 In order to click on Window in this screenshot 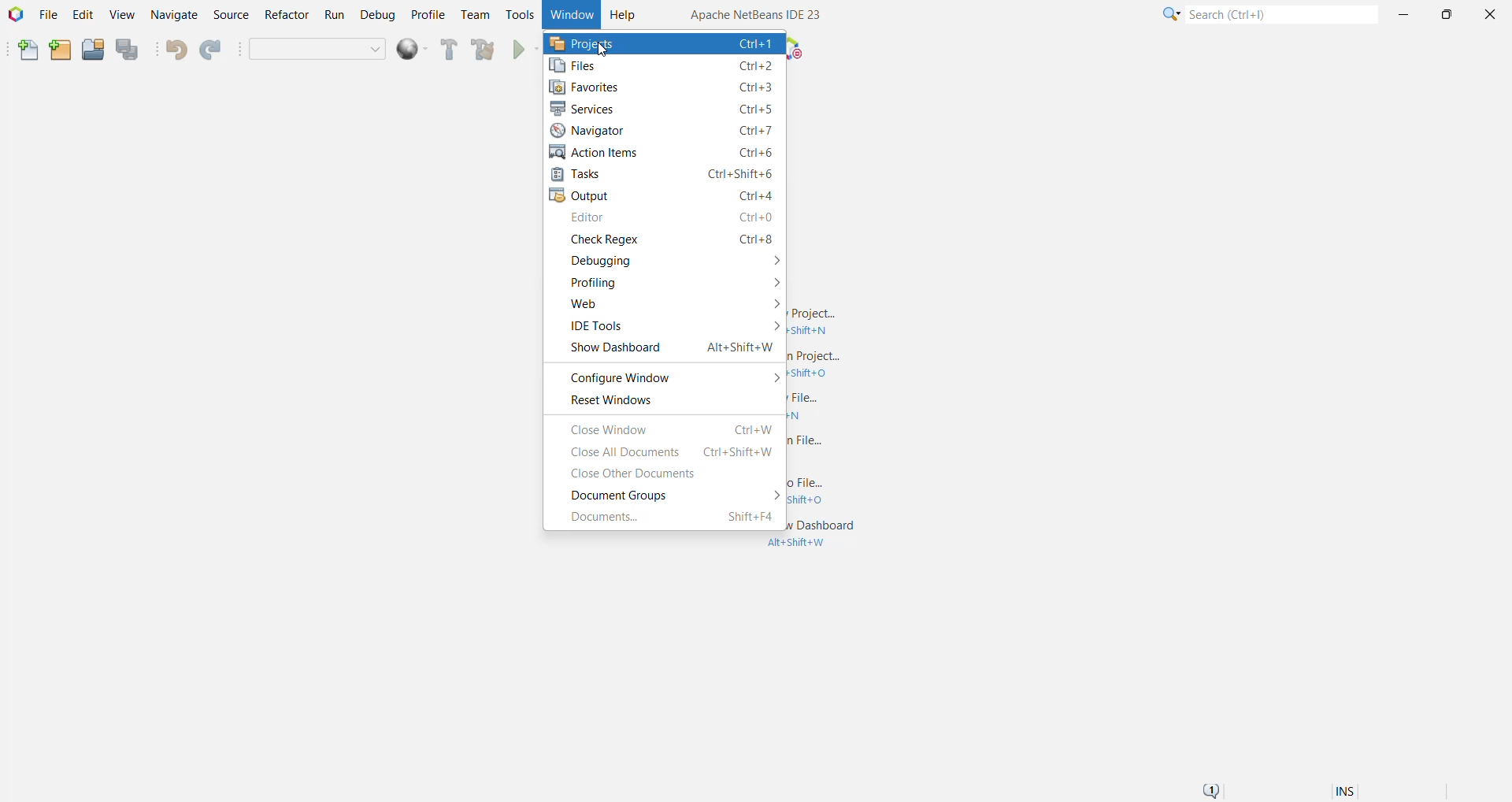, I will do `click(572, 14)`.